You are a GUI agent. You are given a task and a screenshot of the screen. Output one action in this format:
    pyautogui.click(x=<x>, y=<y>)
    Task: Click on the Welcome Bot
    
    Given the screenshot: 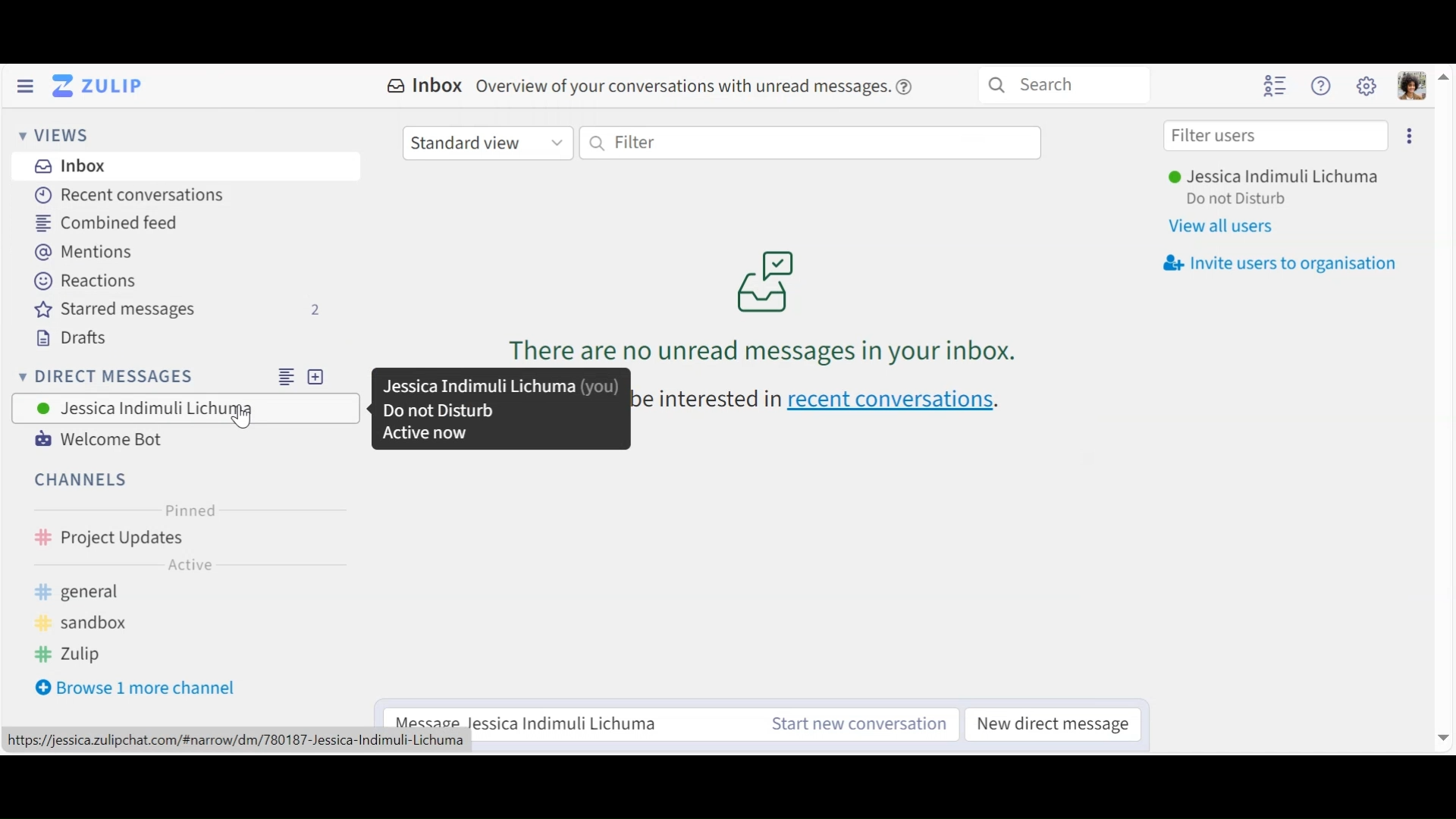 What is the action you would take?
    pyautogui.click(x=98, y=440)
    